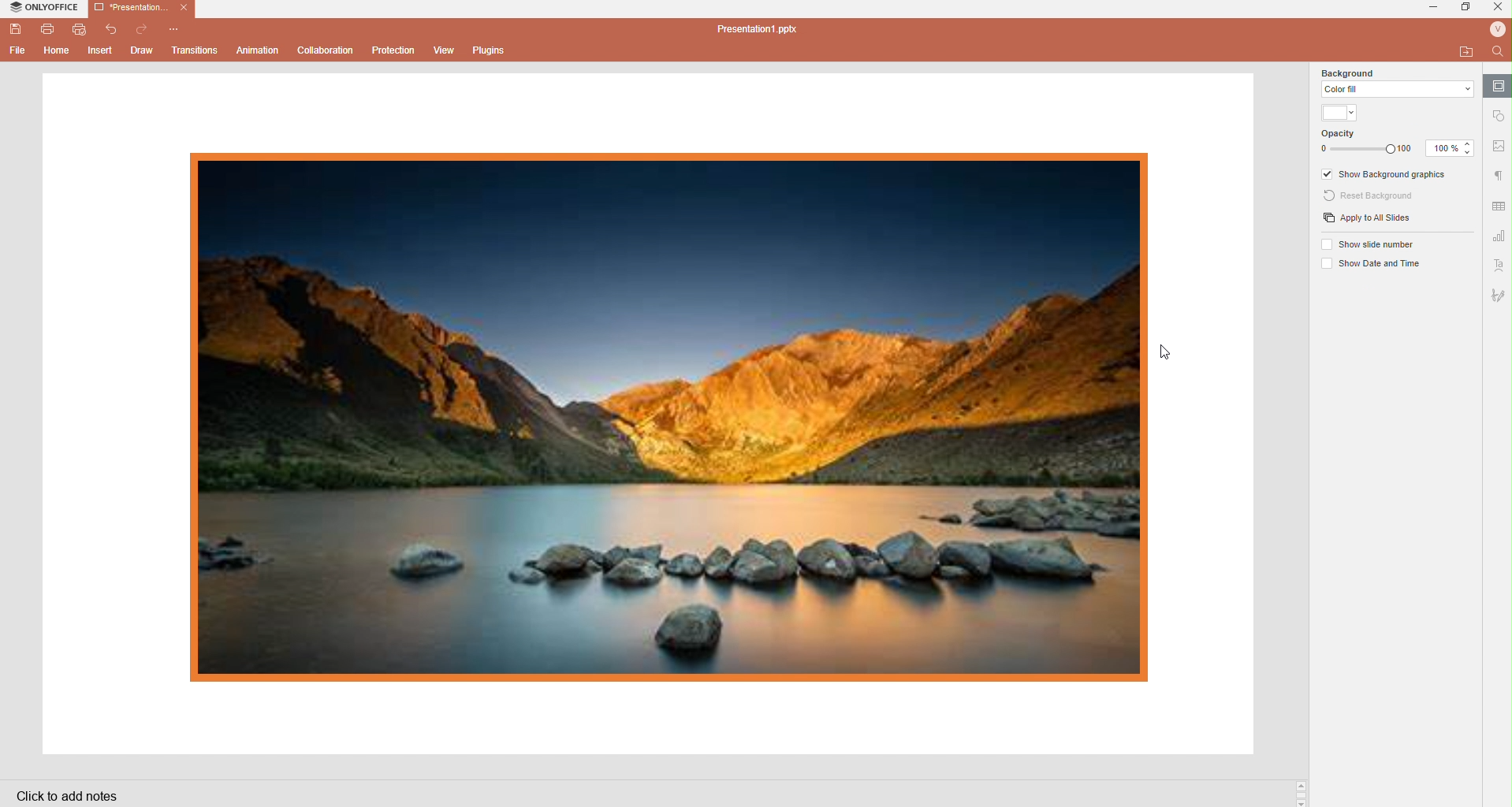 The image size is (1512, 807). Describe the element at coordinates (1501, 145) in the screenshot. I see `Picture settings` at that location.